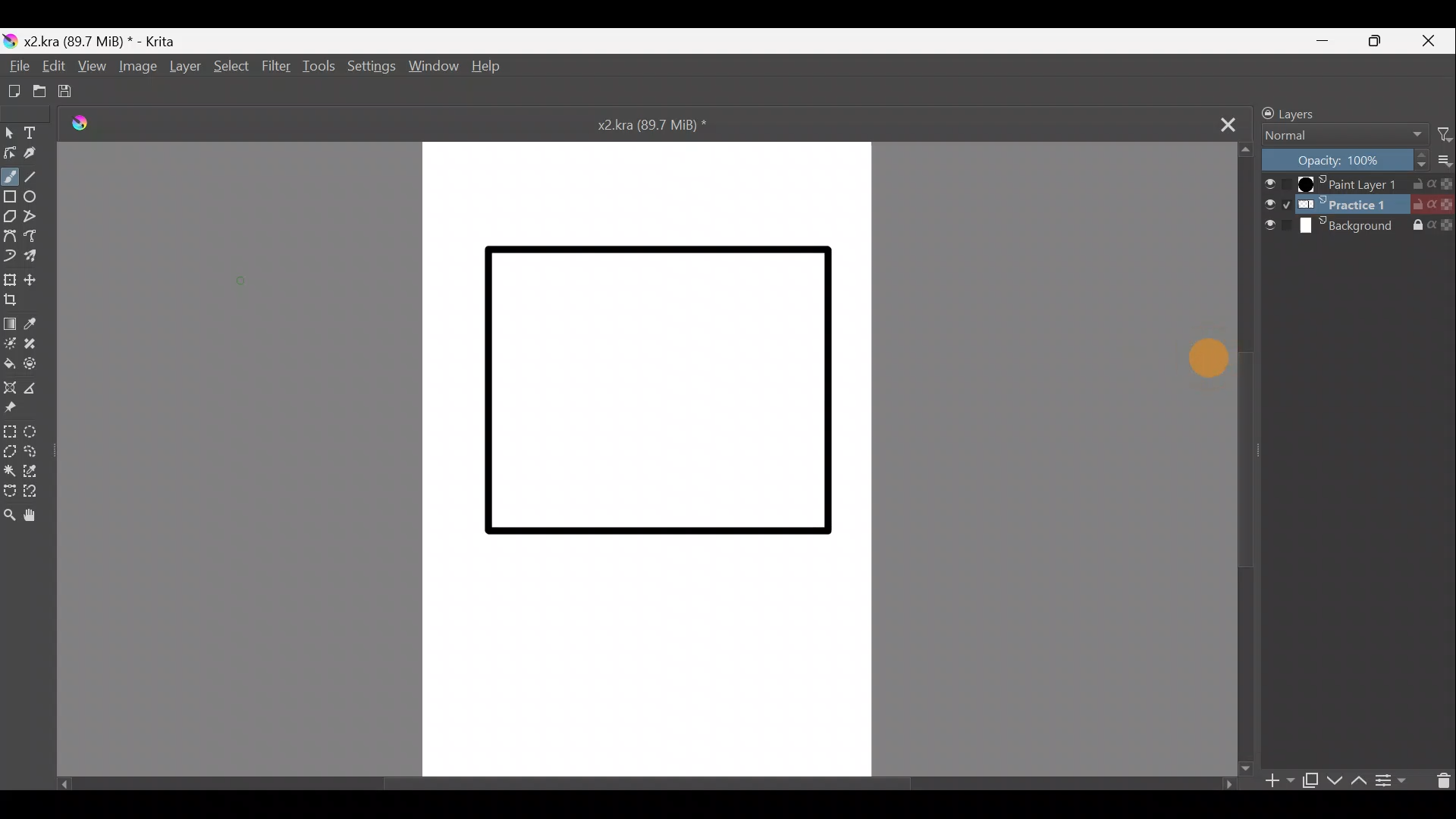 This screenshot has height=819, width=1456. I want to click on Enclose & fill tool, so click(38, 363).